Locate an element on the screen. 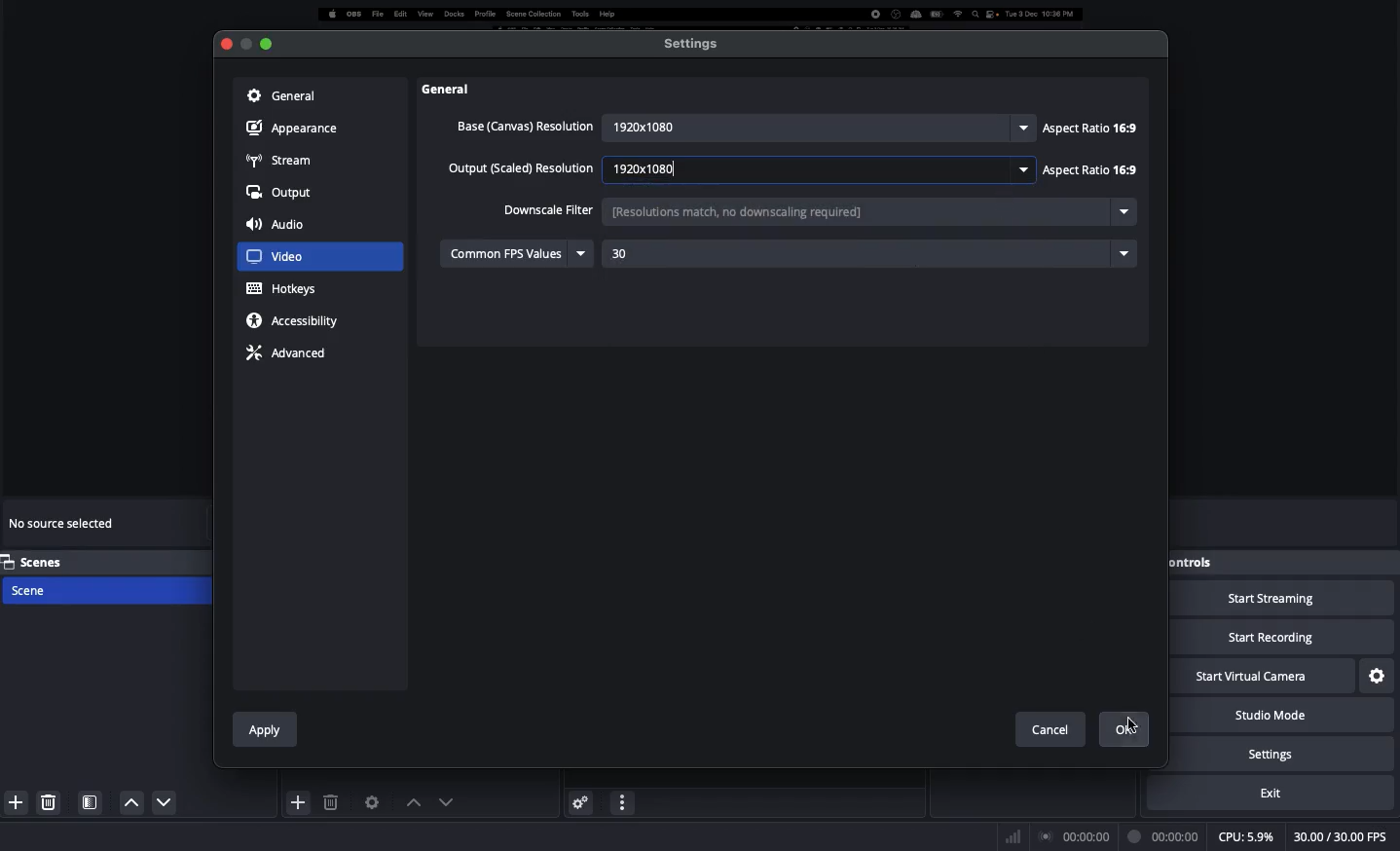  Close is located at coordinates (225, 45).